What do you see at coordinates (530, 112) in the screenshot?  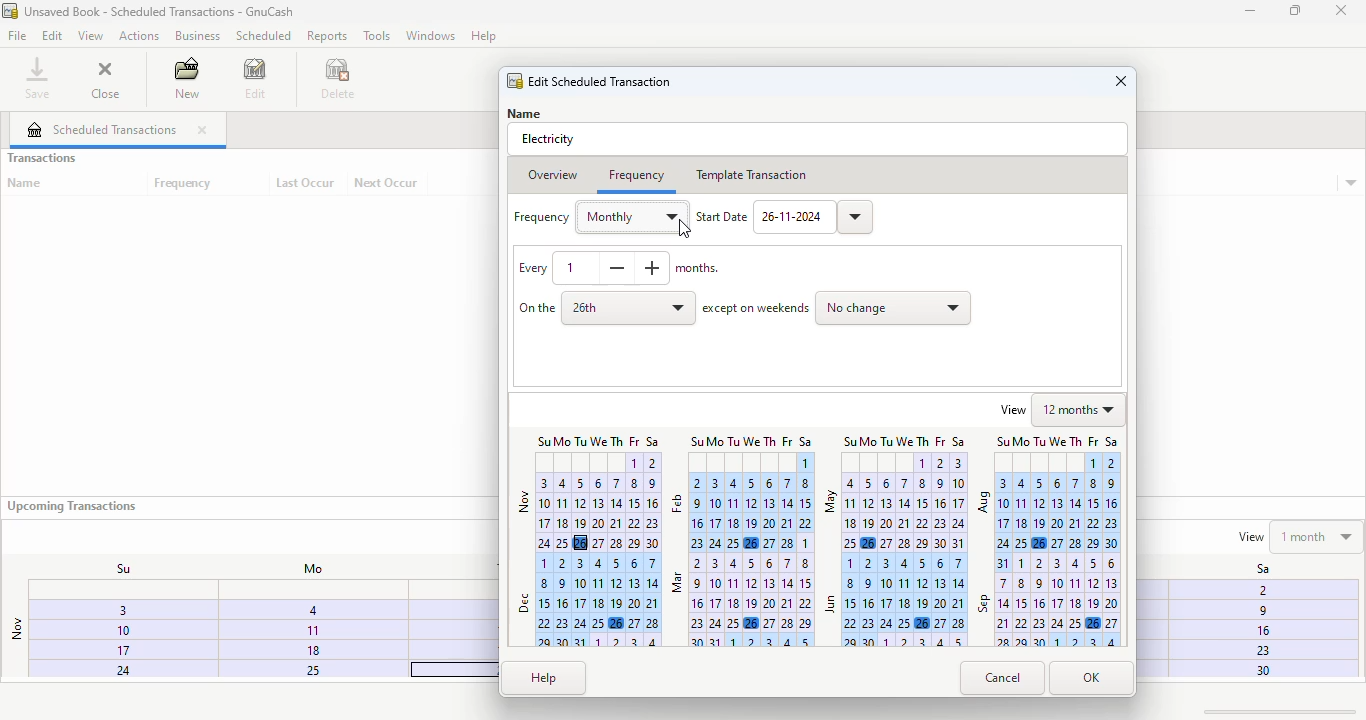 I see `Names` at bounding box center [530, 112].